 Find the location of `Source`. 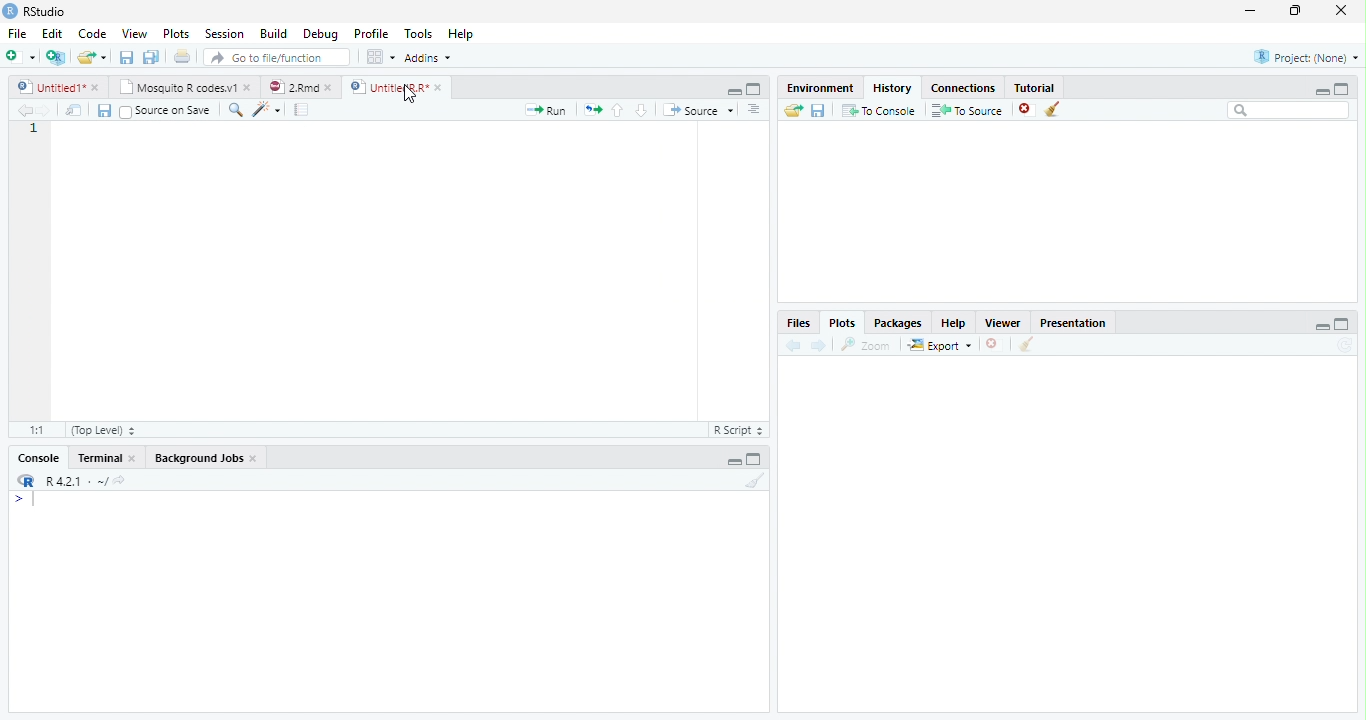

Source is located at coordinates (699, 110).